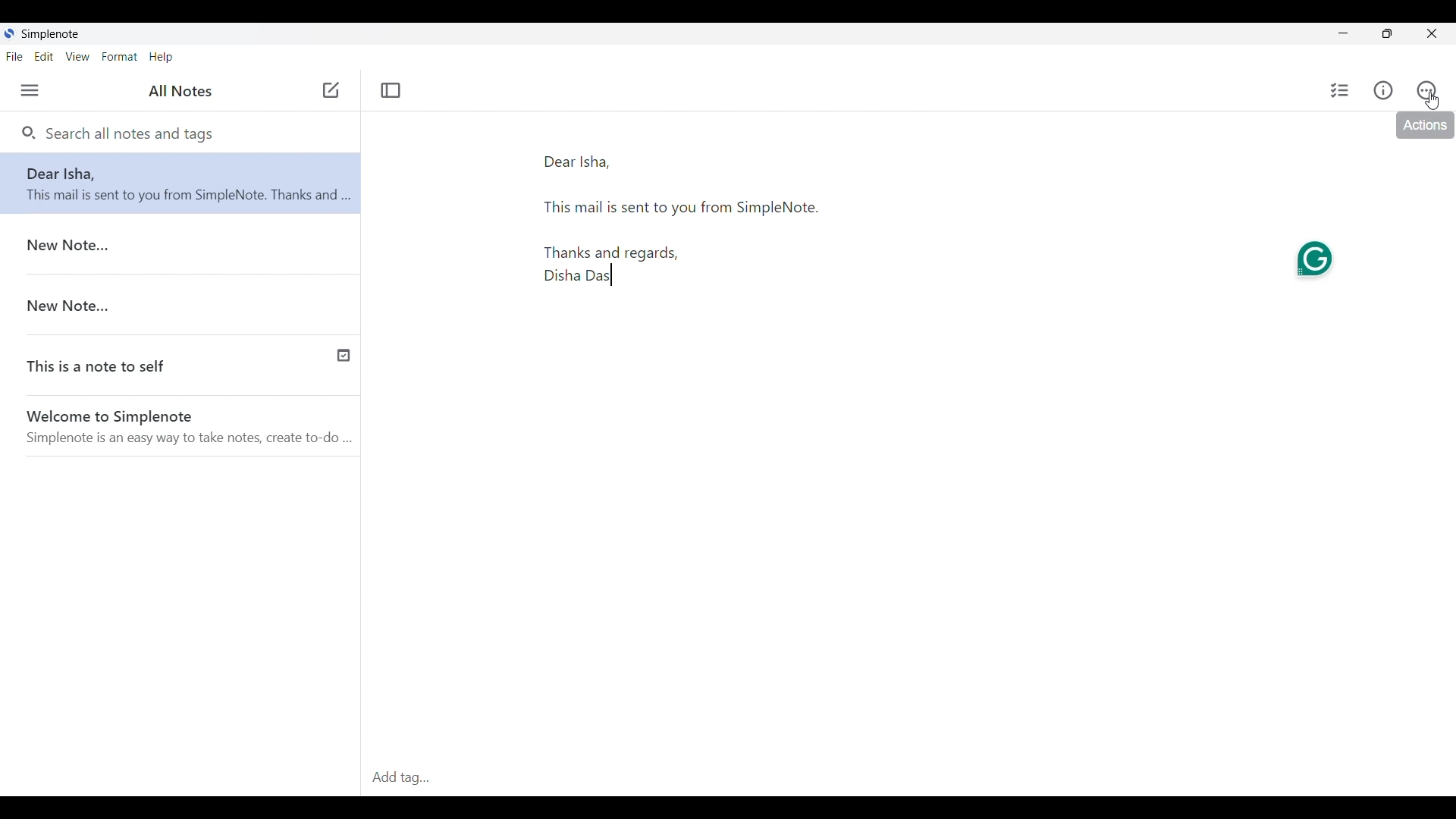 The width and height of the screenshot is (1456, 819). What do you see at coordinates (9, 33) in the screenshot?
I see `Software logo` at bounding box center [9, 33].